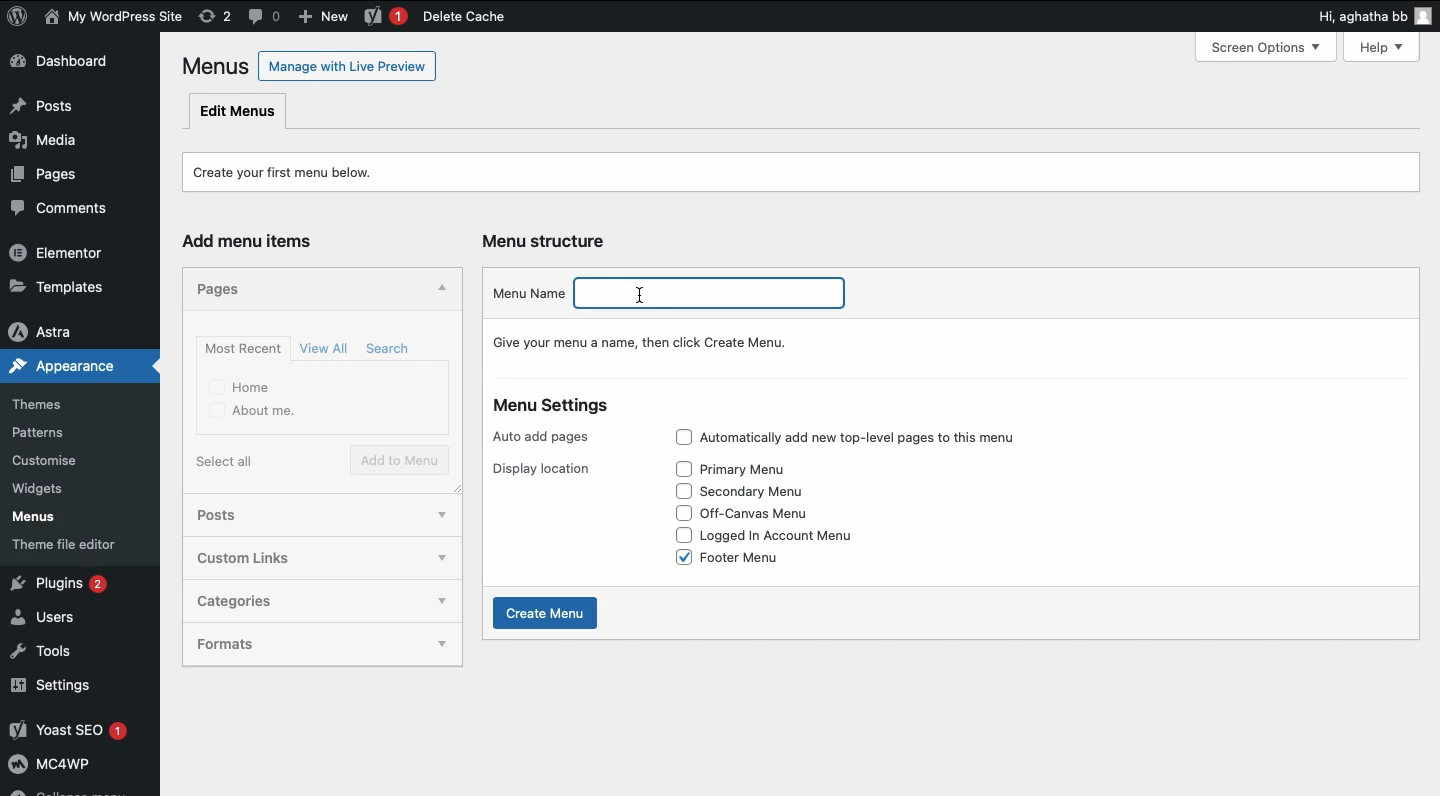  Describe the element at coordinates (54, 145) in the screenshot. I see `Media` at that location.